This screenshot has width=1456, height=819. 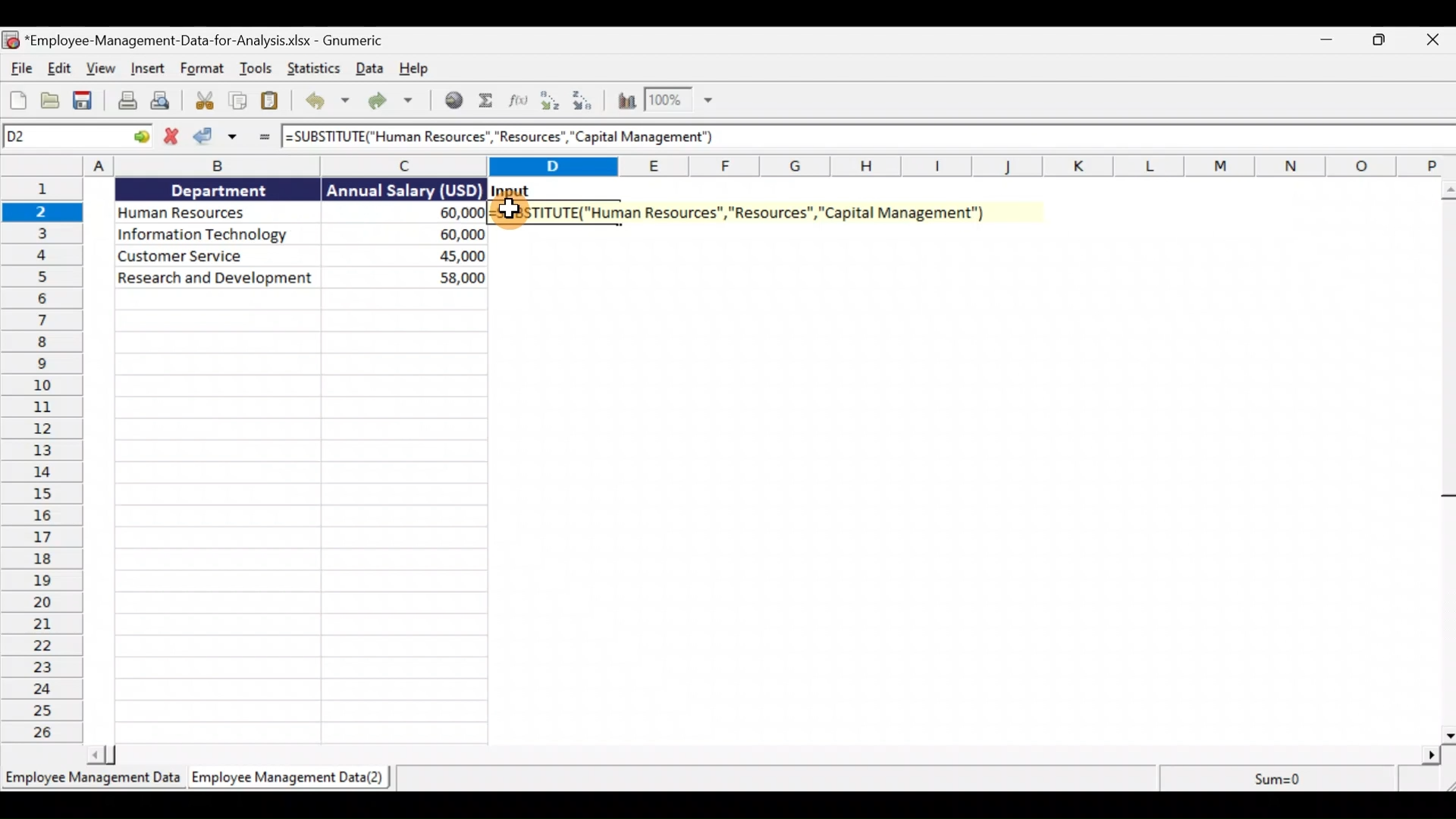 What do you see at coordinates (509, 138) in the screenshot?
I see `=SUBSTITUTE("Human Resources","Resources","Capital Management")` at bounding box center [509, 138].